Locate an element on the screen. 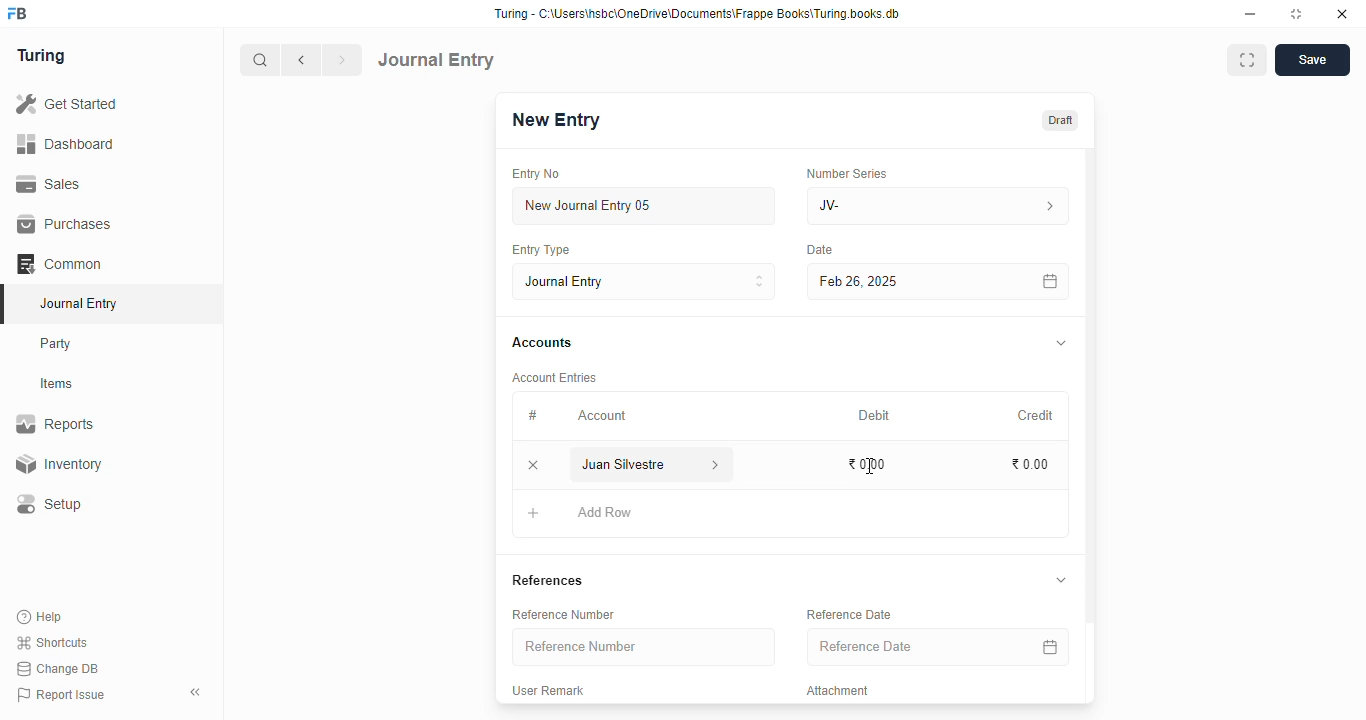 The image size is (1366, 720). add row is located at coordinates (605, 512).